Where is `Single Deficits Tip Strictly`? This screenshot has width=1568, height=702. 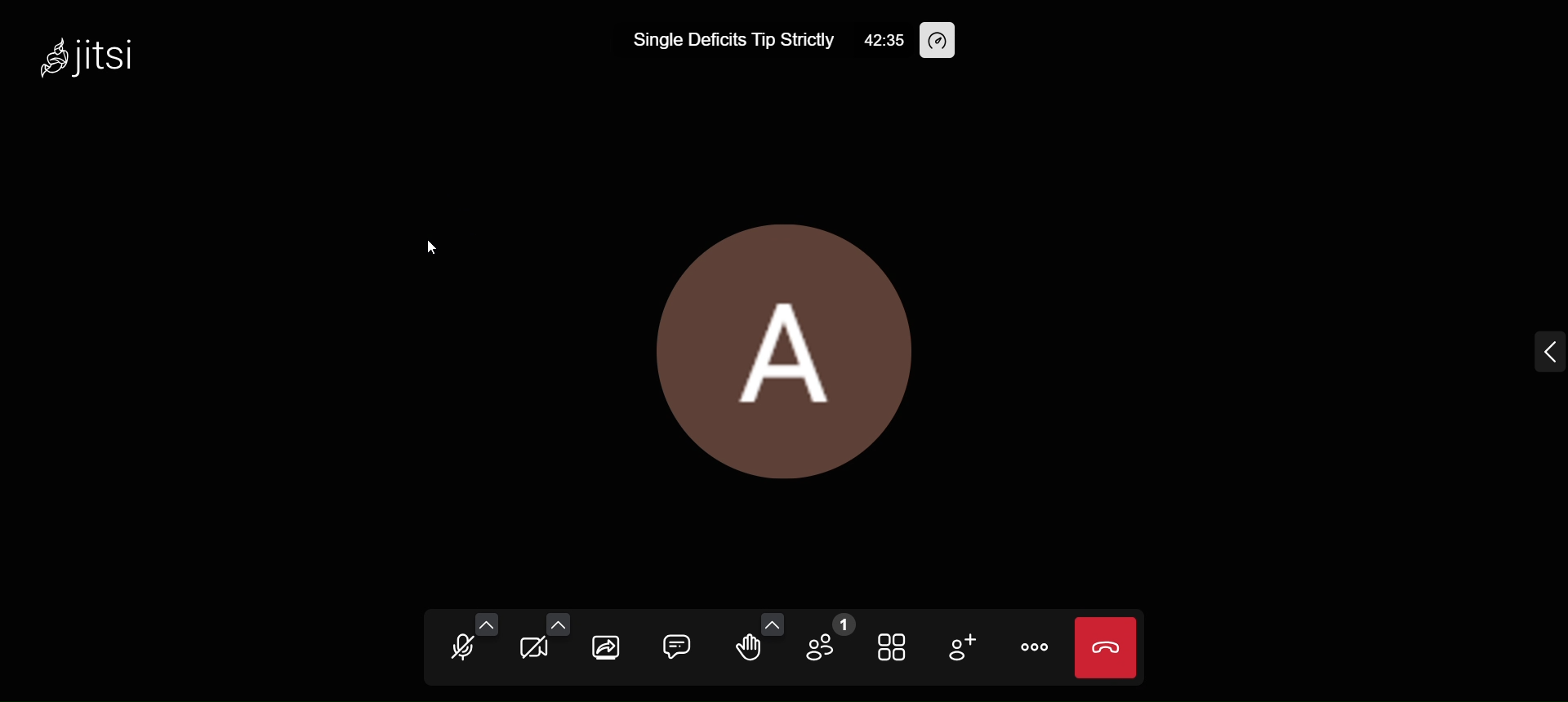
Single Deficits Tip Strictly is located at coordinates (730, 40).